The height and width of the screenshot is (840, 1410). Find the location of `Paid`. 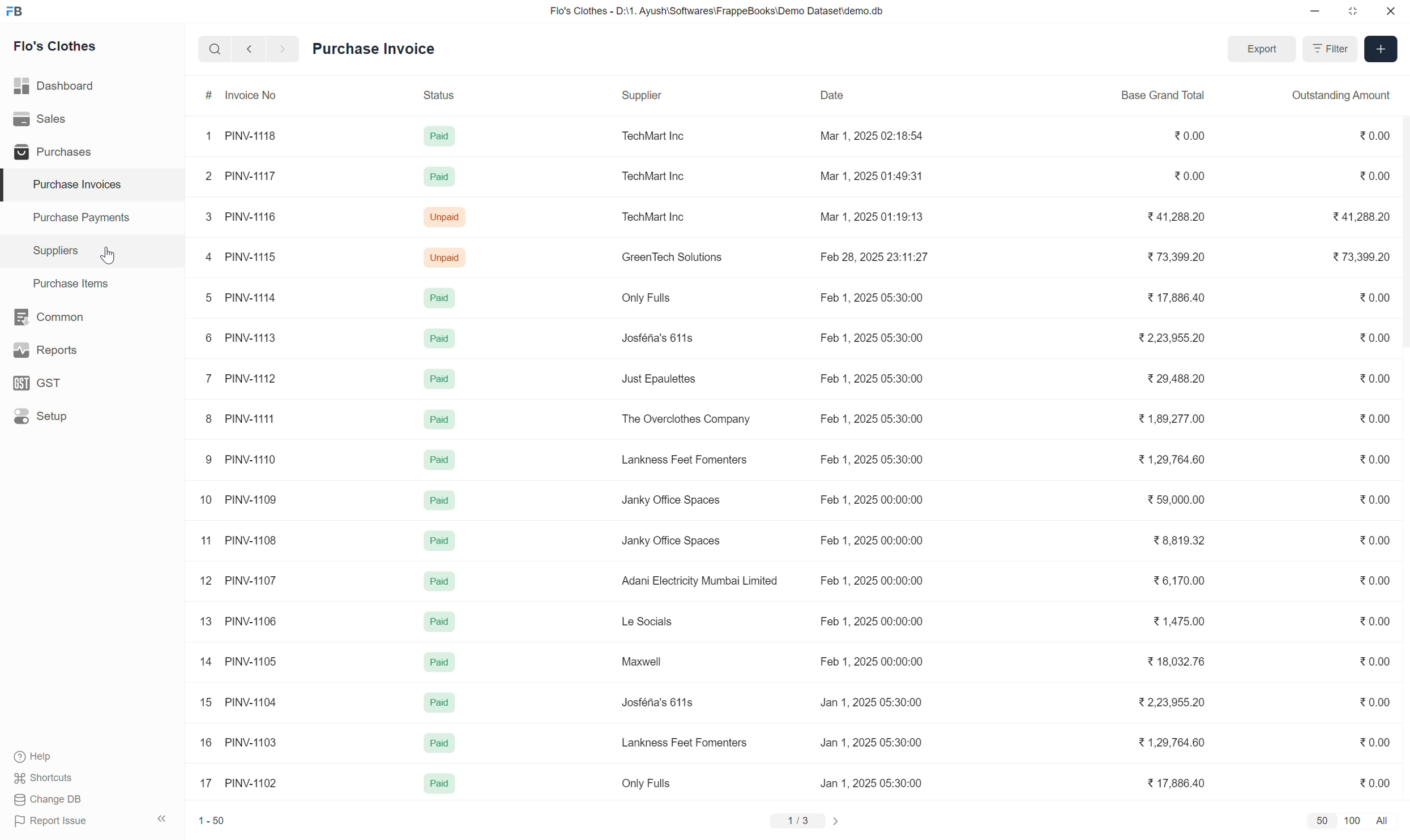

Paid is located at coordinates (438, 374).